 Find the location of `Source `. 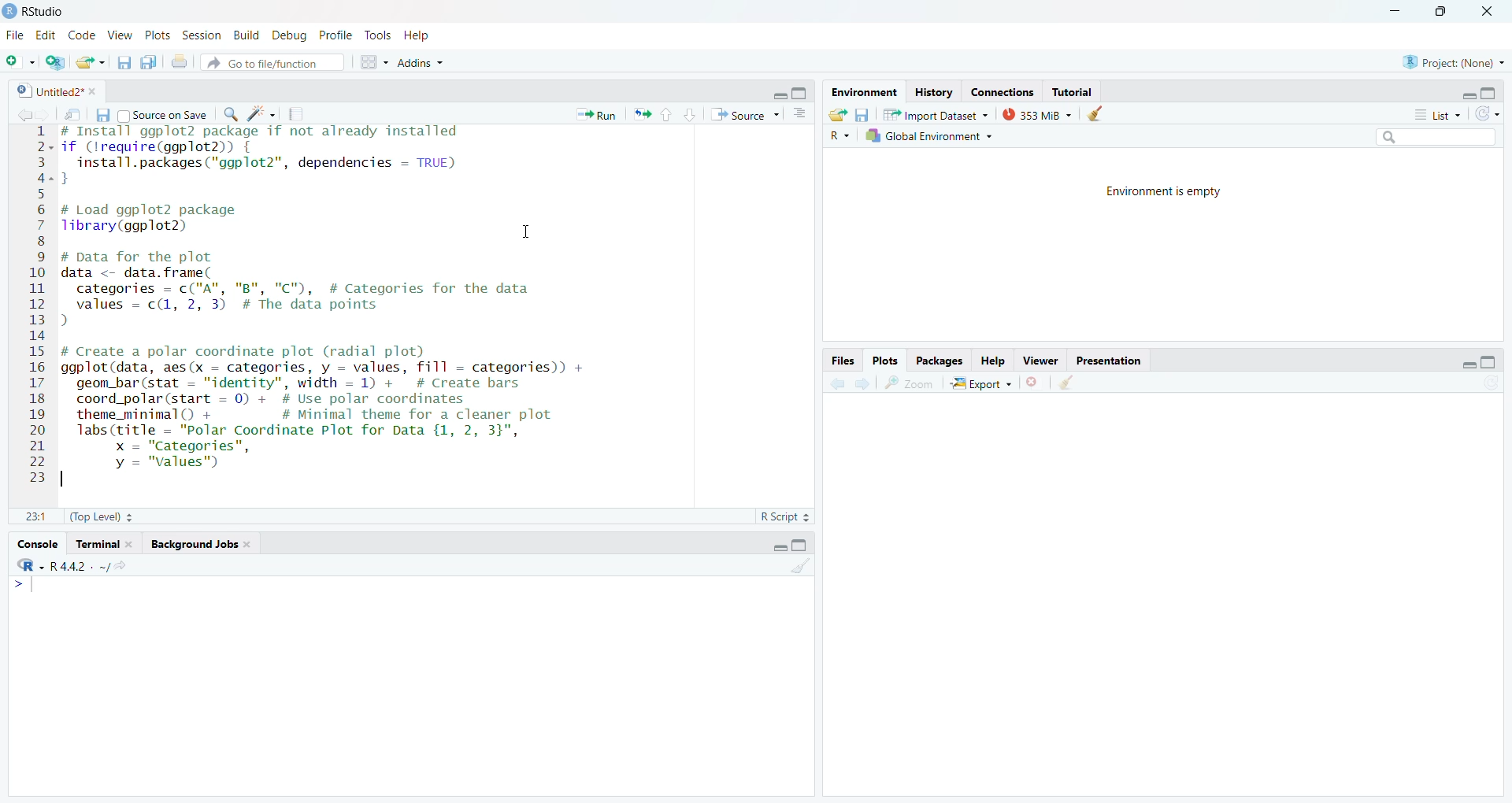

Source  is located at coordinates (744, 114).